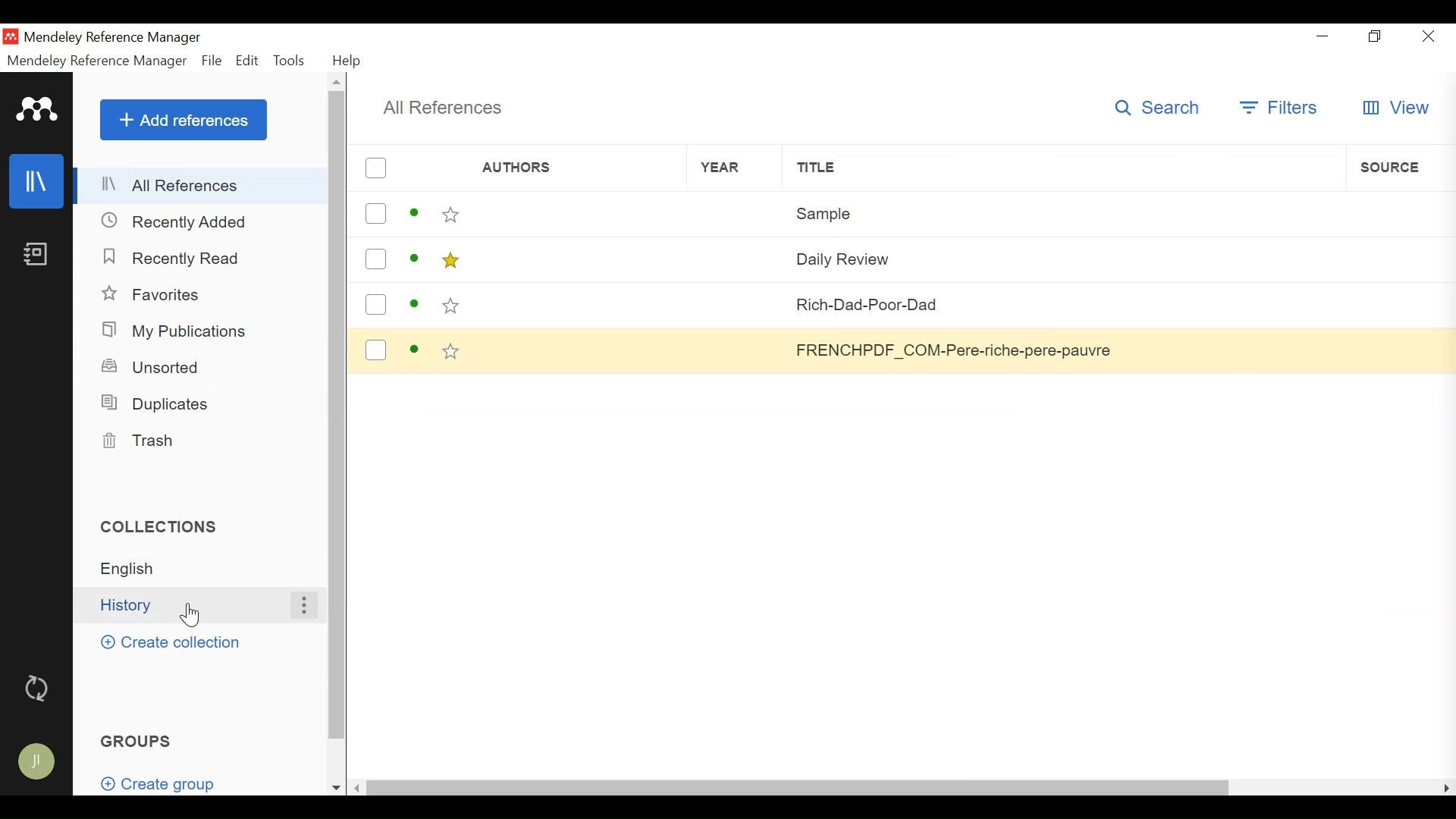 The image size is (1456, 819). What do you see at coordinates (37, 110) in the screenshot?
I see `Mendeley logo` at bounding box center [37, 110].